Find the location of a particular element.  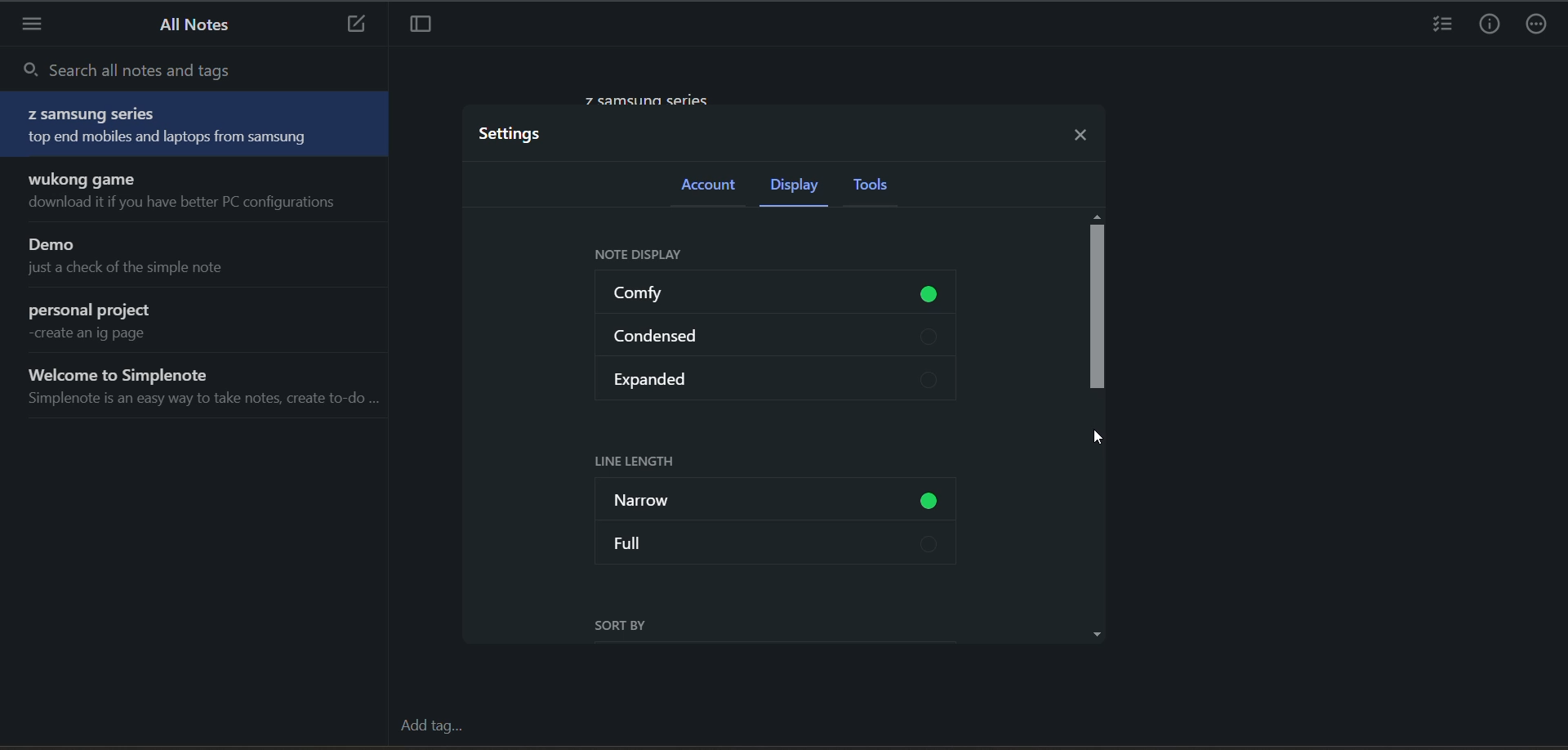

vertical scroll bar is located at coordinates (1097, 308).